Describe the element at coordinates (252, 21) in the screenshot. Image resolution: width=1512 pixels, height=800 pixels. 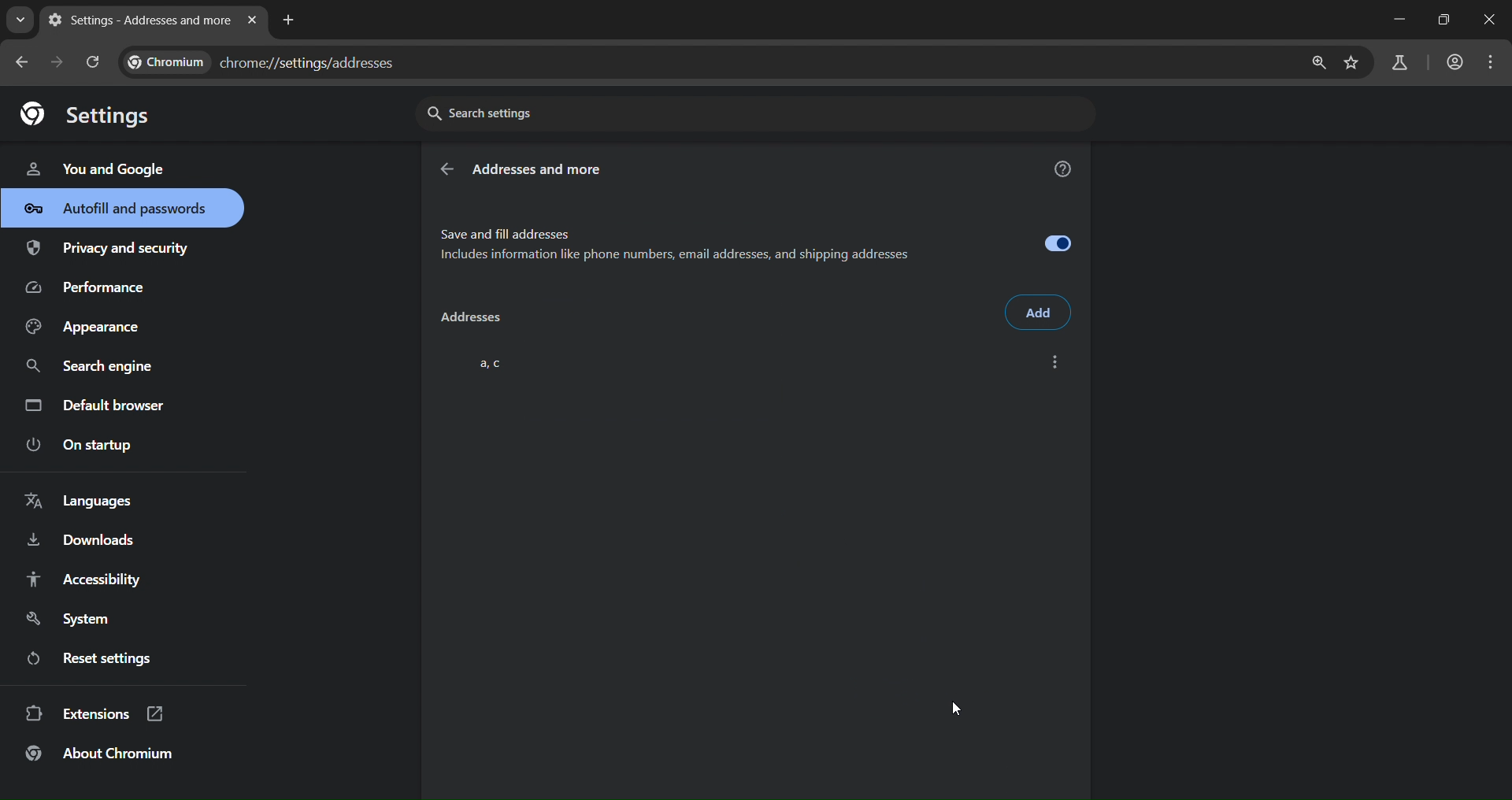
I see `close tab` at that location.